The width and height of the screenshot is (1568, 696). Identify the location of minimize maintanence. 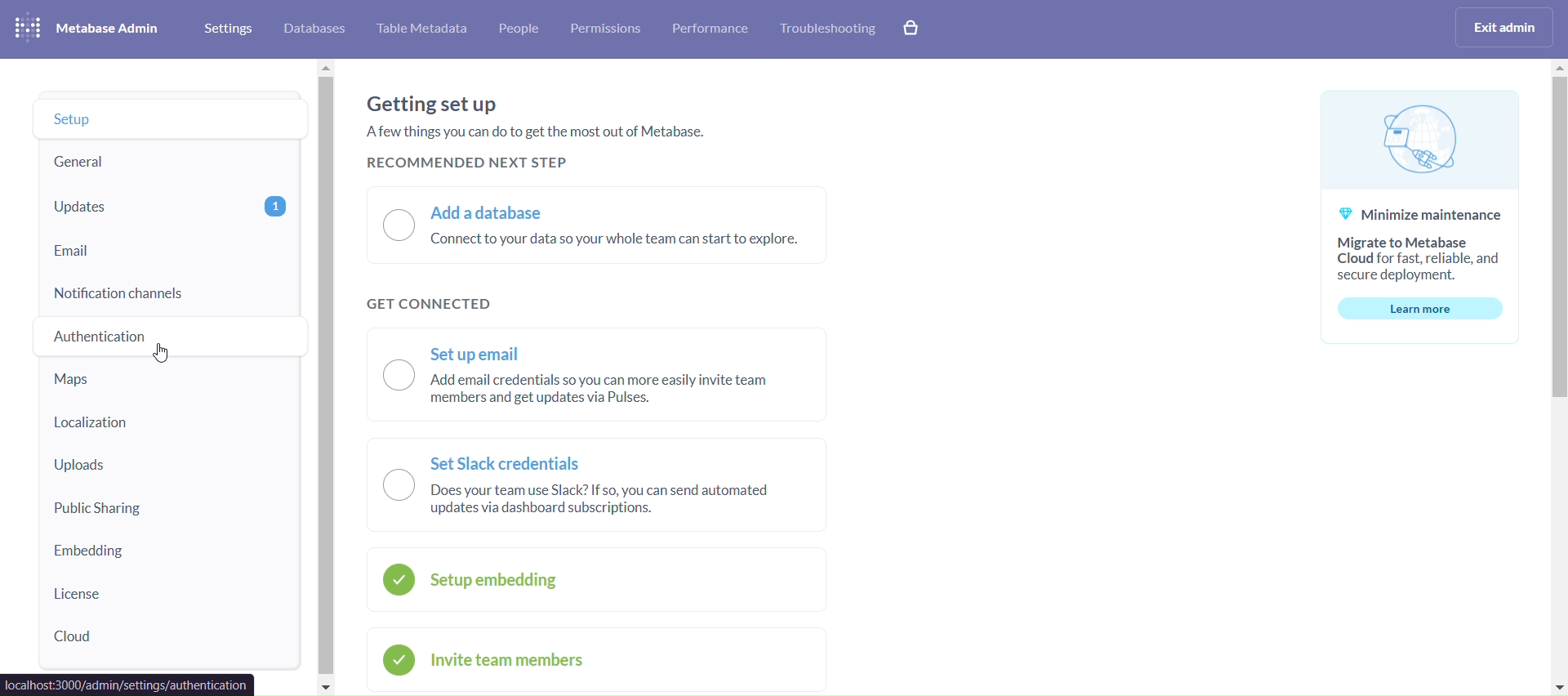
(1423, 219).